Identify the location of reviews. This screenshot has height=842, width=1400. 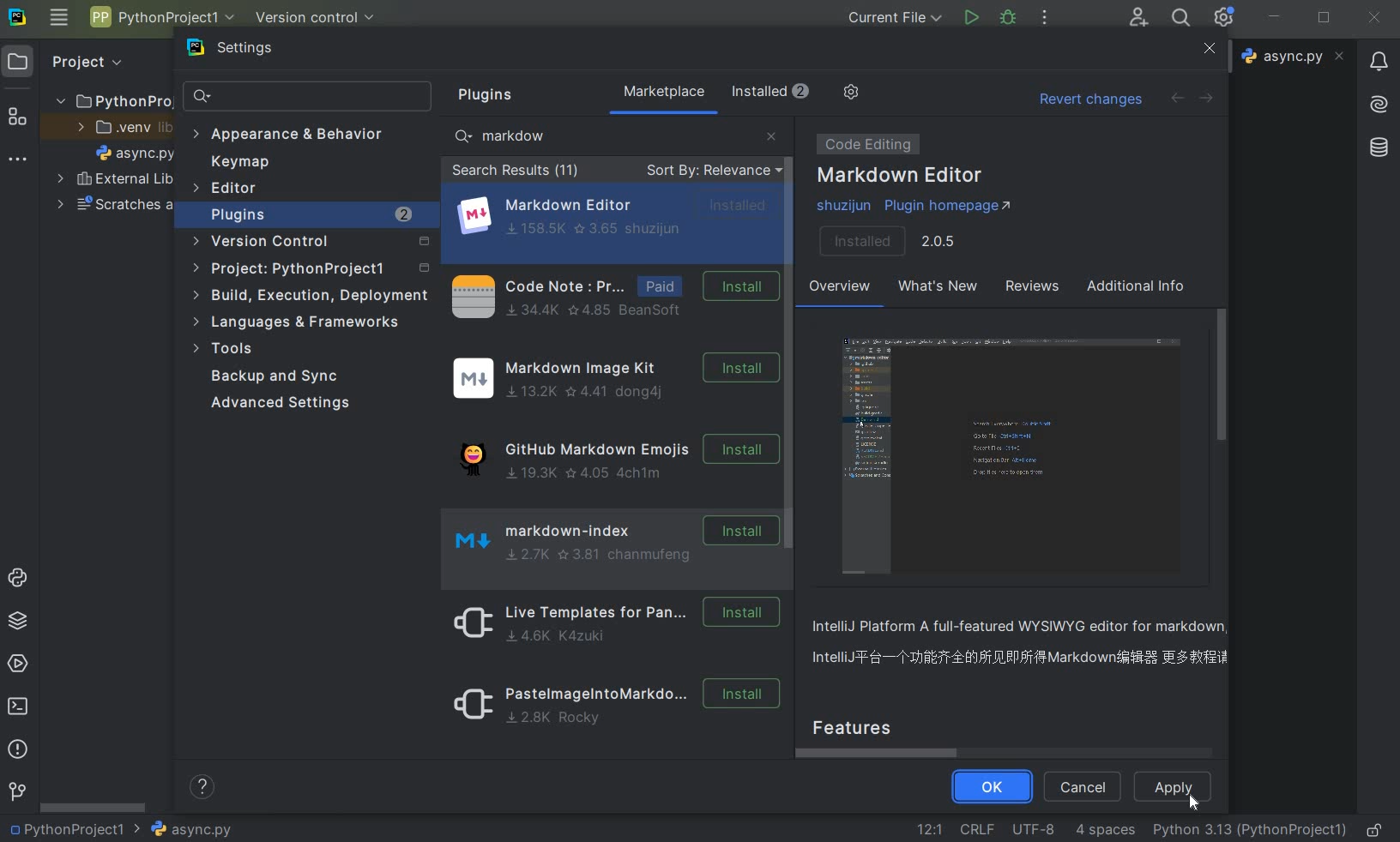
(1029, 289).